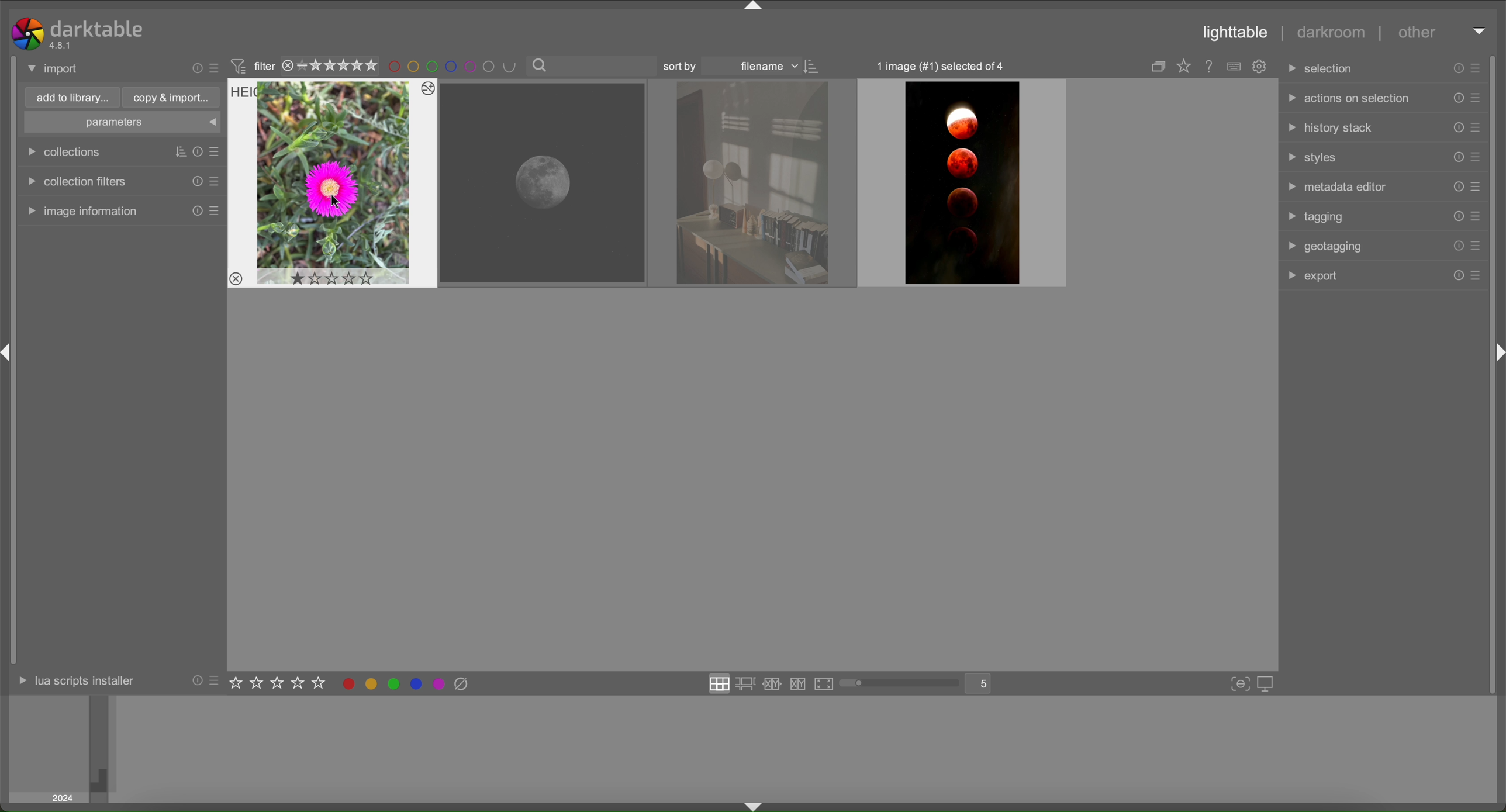  Describe the element at coordinates (455, 67) in the screenshot. I see `filter by images color level` at that location.